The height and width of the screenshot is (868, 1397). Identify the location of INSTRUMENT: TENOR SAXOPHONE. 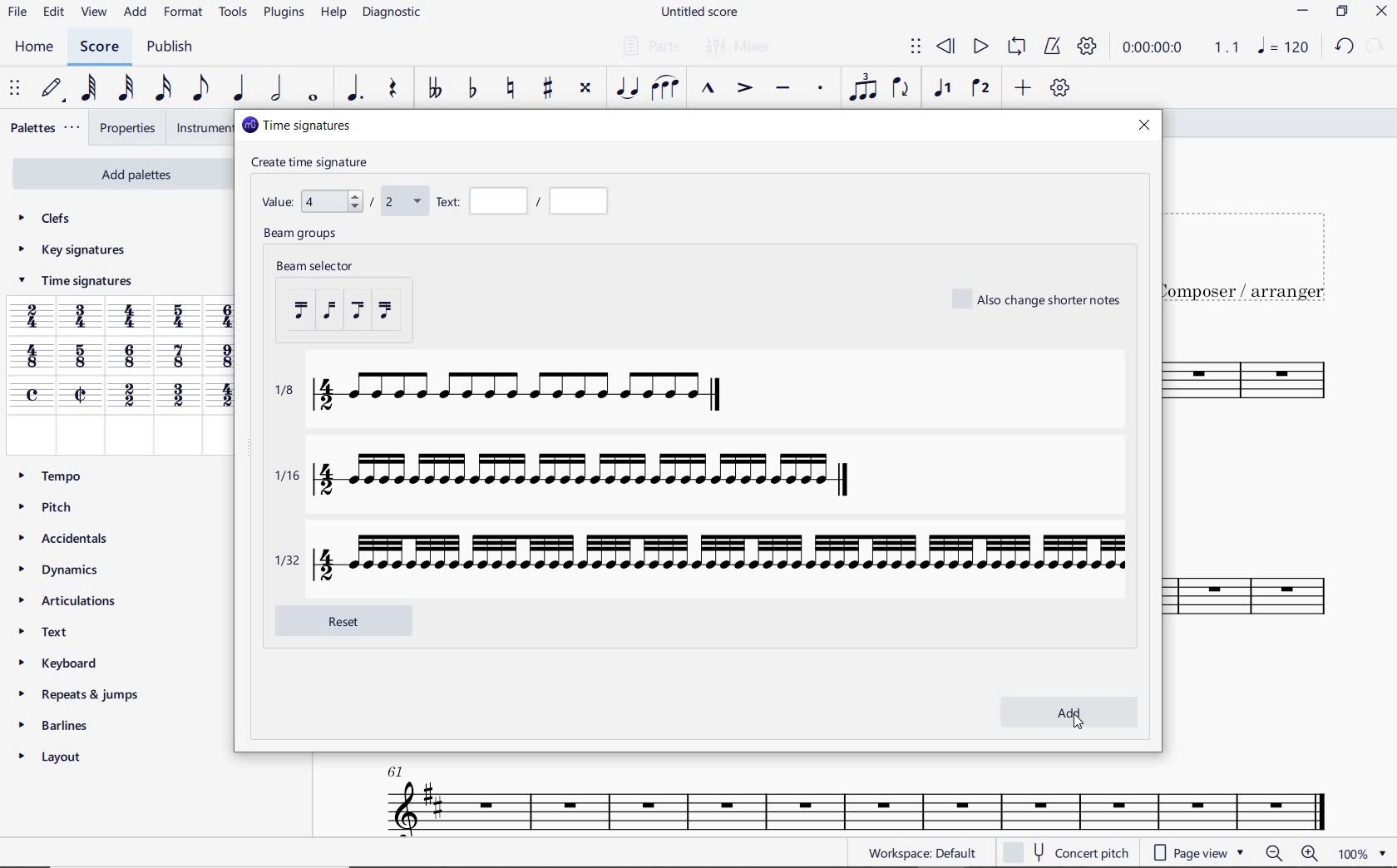
(848, 794).